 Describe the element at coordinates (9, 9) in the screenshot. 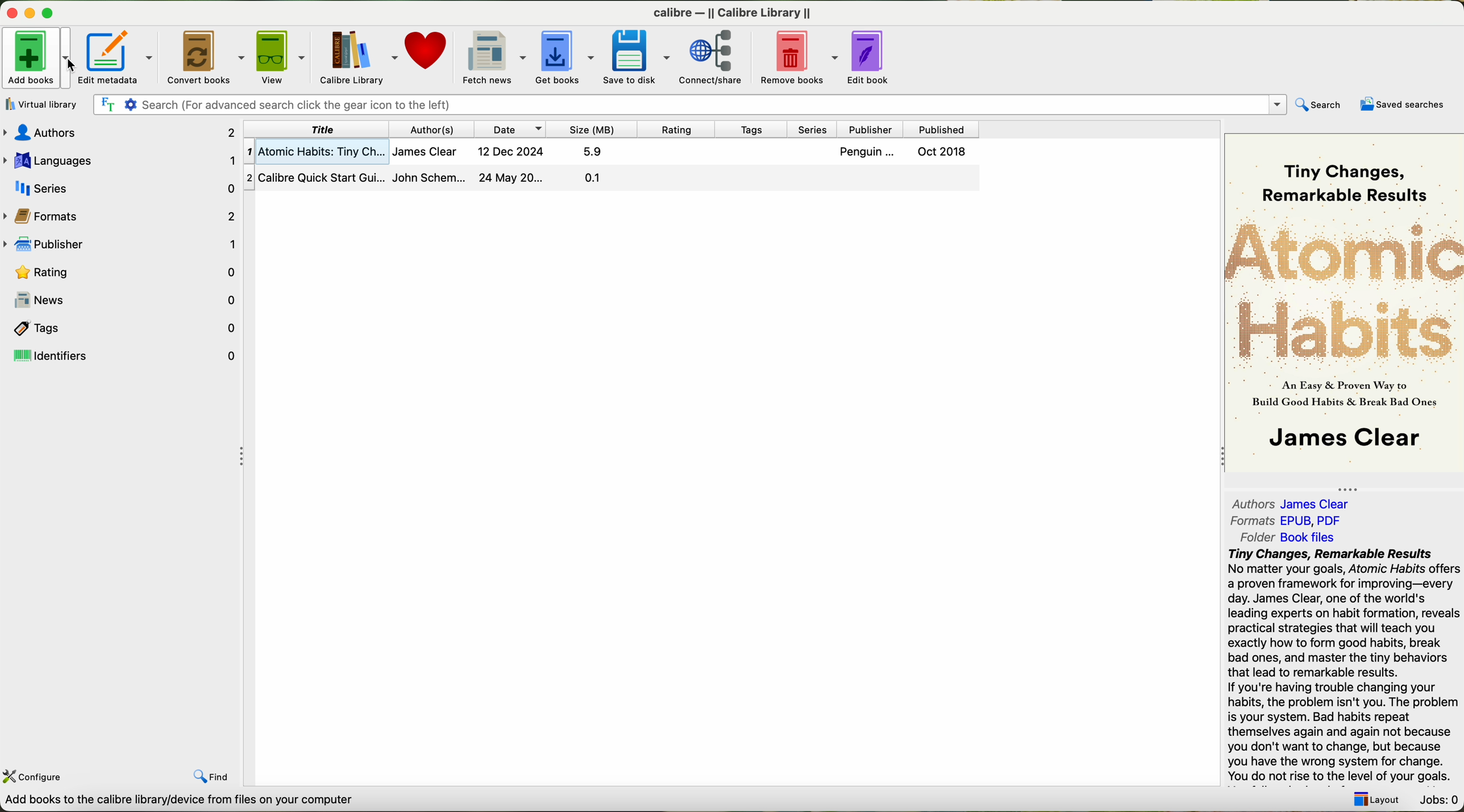

I see `close program` at that location.